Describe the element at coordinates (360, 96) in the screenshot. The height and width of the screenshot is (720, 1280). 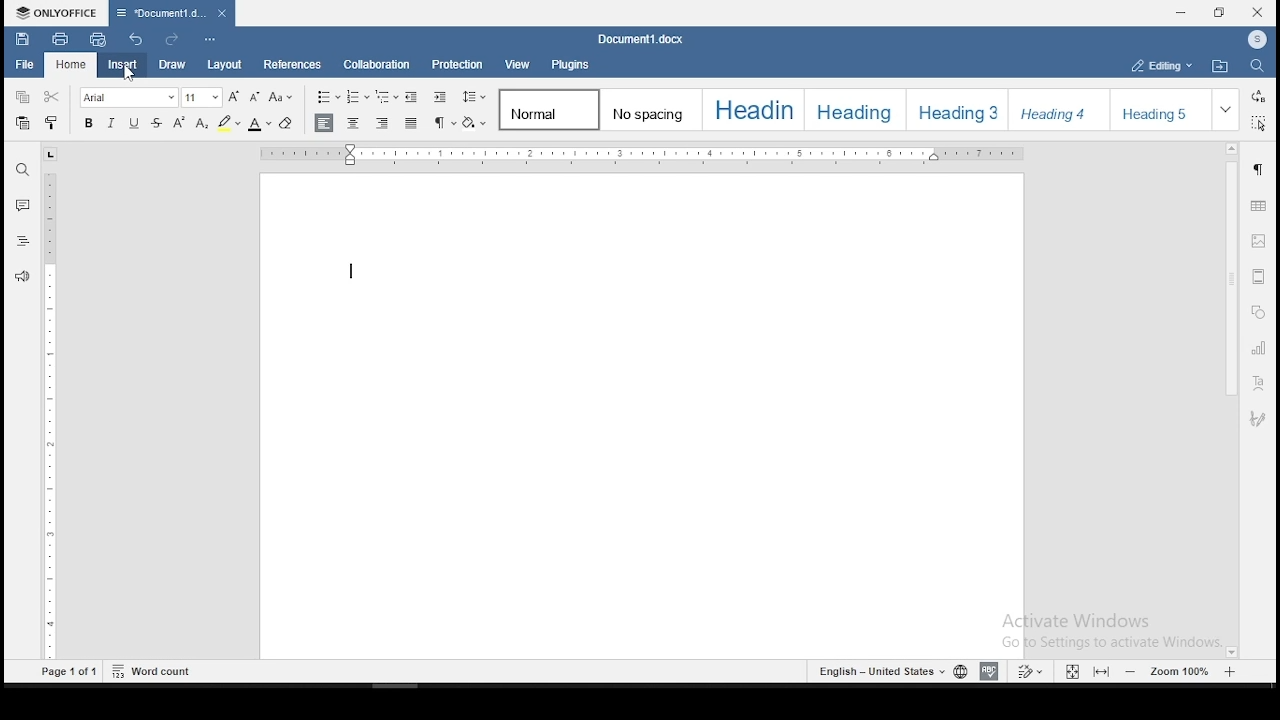
I see `numbered list` at that location.